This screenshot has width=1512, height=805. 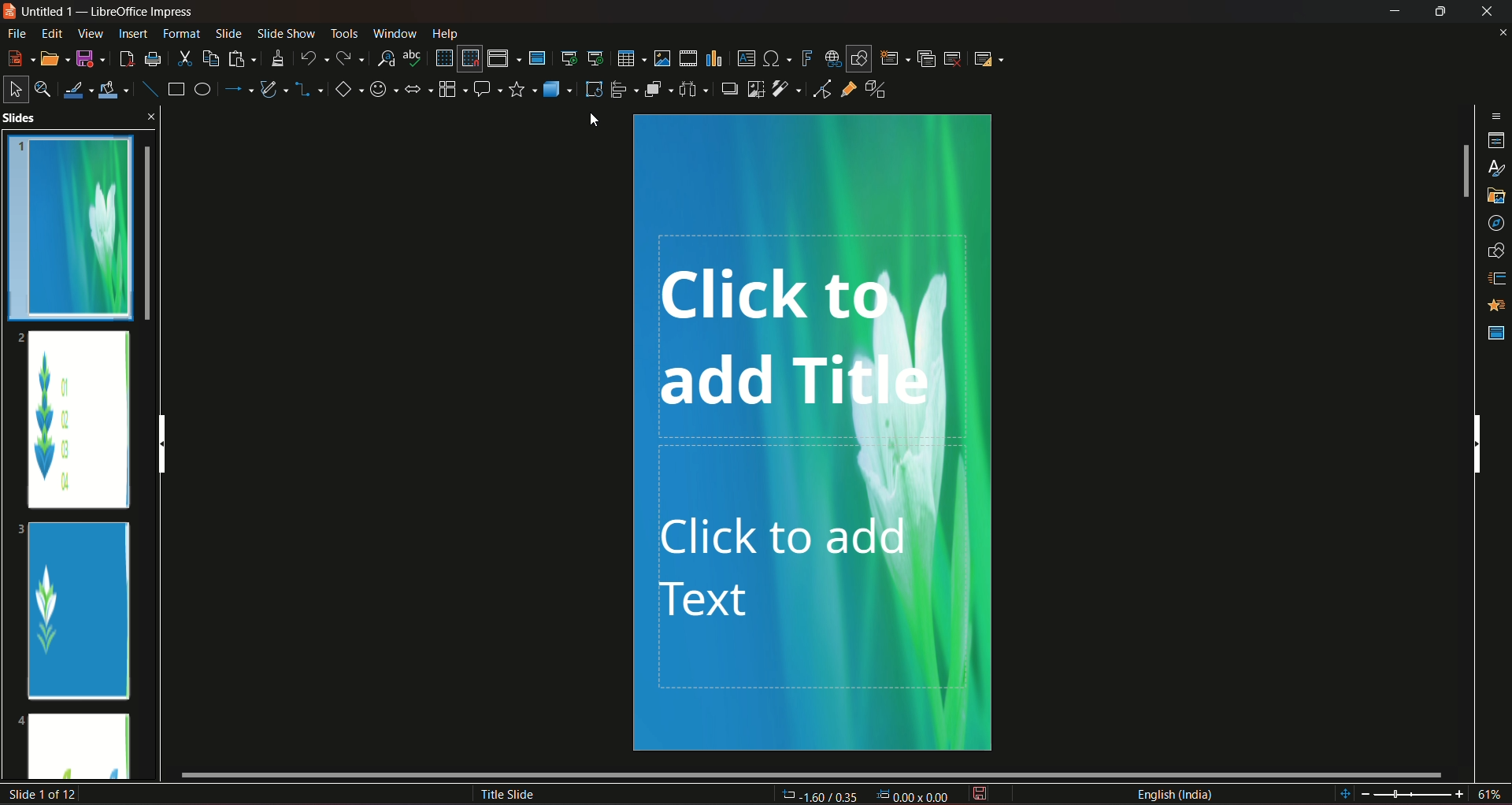 What do you see at coordinates (488, 88) in the screenshot?
I see `callout shapes` at bounding box center [488, 88].